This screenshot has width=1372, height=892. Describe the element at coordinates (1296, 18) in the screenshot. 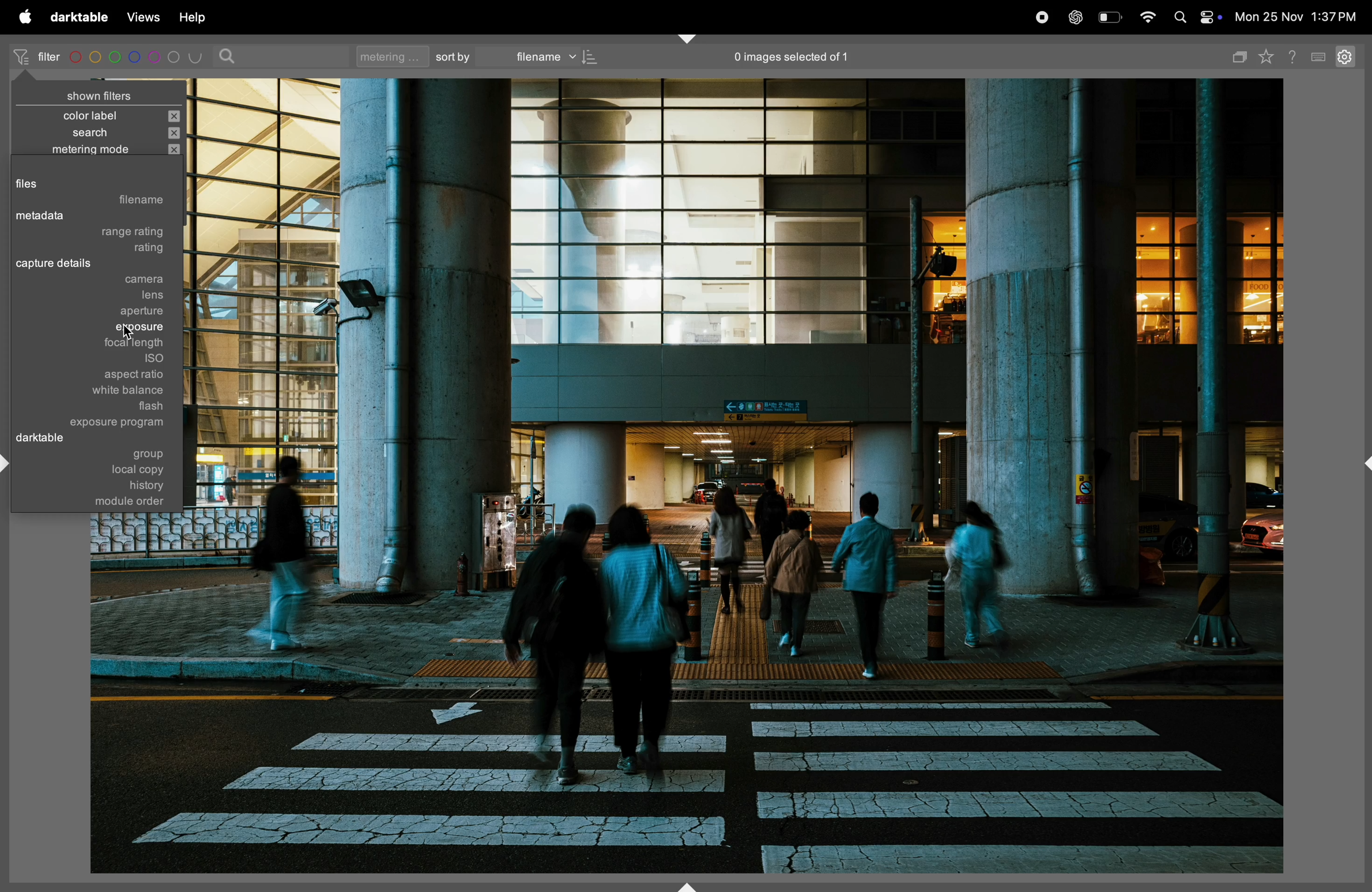

I see `date and time` at that location.